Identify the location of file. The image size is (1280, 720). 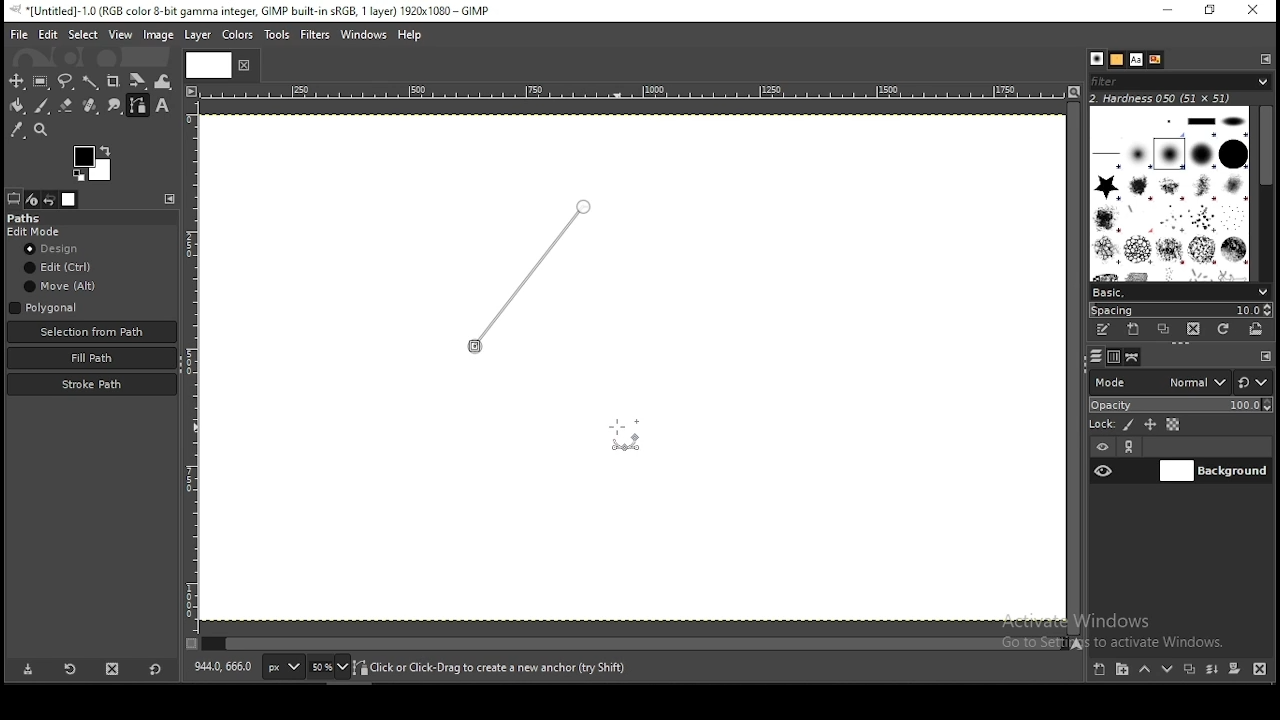
(19, 35).